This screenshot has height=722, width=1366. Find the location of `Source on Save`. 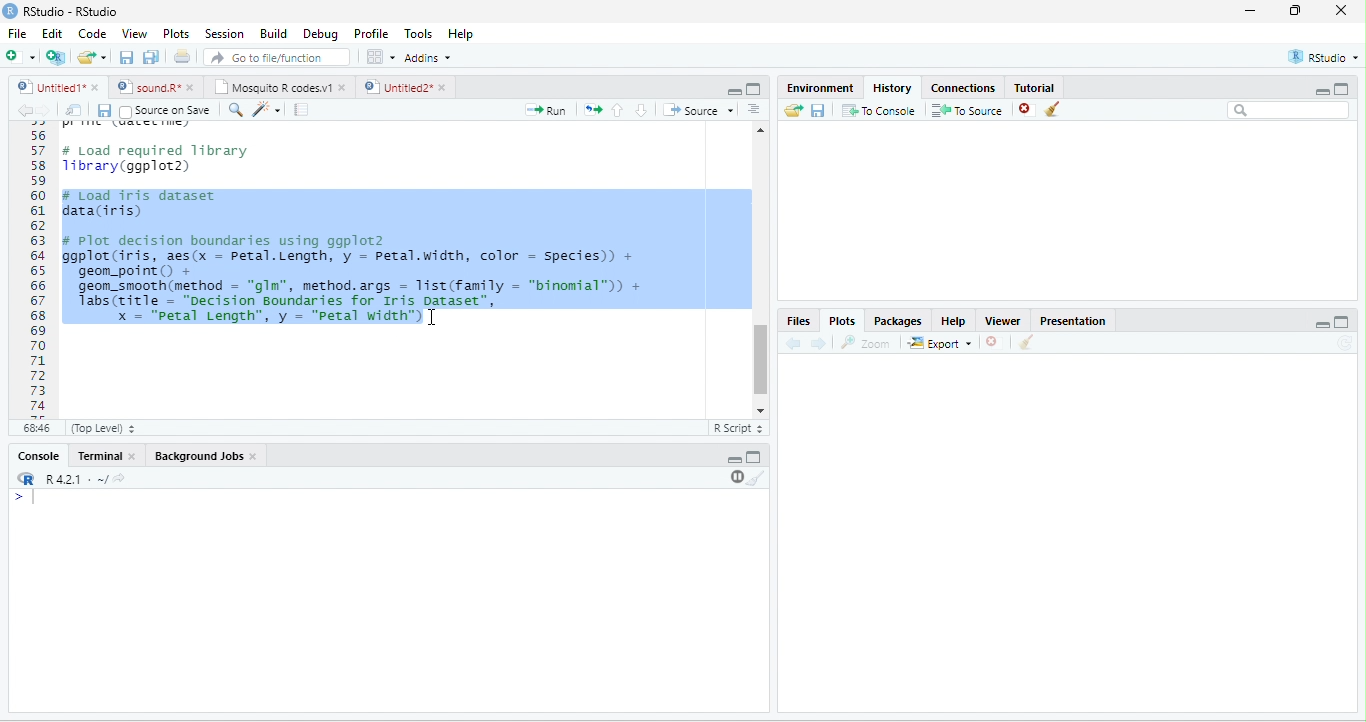

Source on Save is located at coordinates (164, 111).